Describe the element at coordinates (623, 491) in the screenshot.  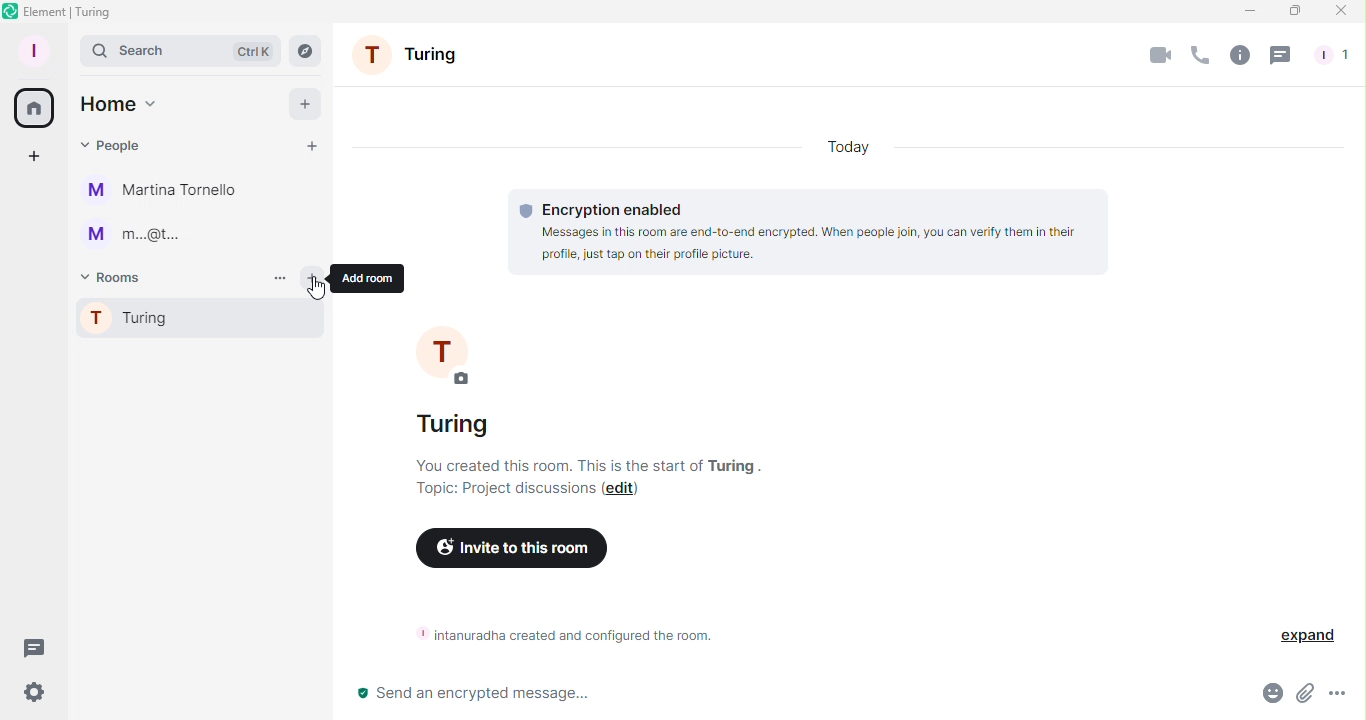
I see `Edit` at that location.